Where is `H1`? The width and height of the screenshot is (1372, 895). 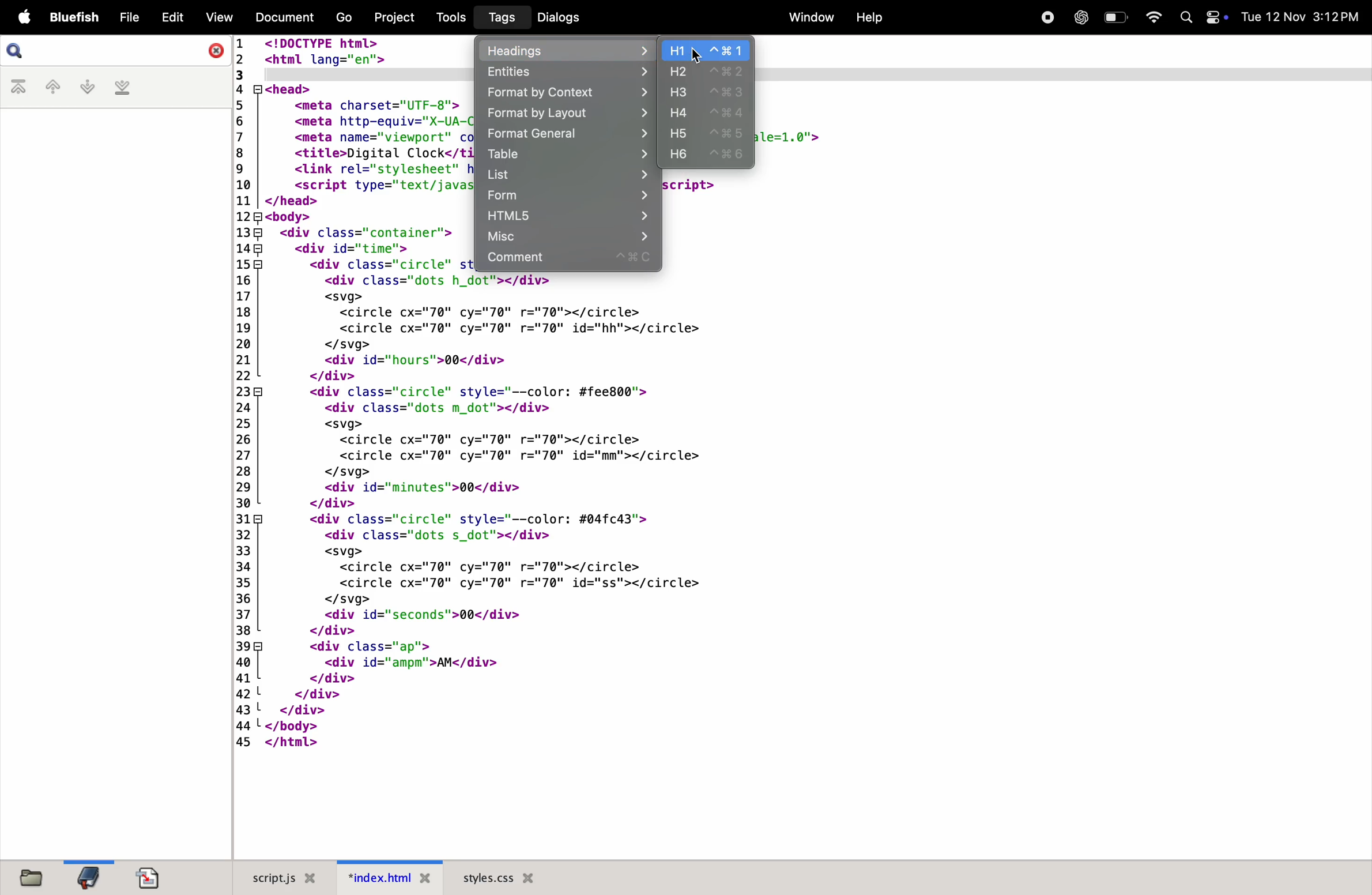 H1 is located at coordinates (708, 51).